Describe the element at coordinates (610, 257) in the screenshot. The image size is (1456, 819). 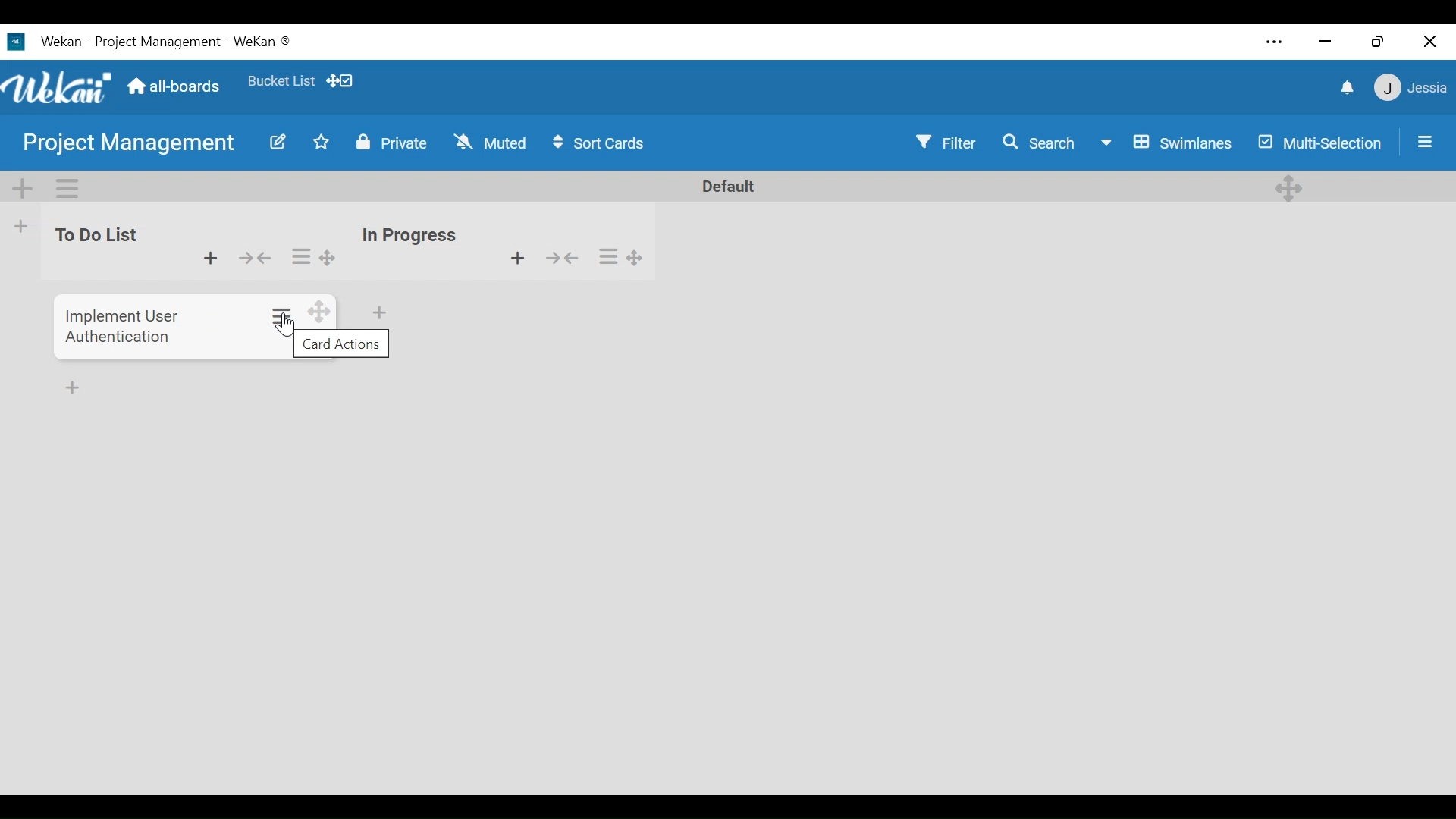
I see `list actions` at that location.